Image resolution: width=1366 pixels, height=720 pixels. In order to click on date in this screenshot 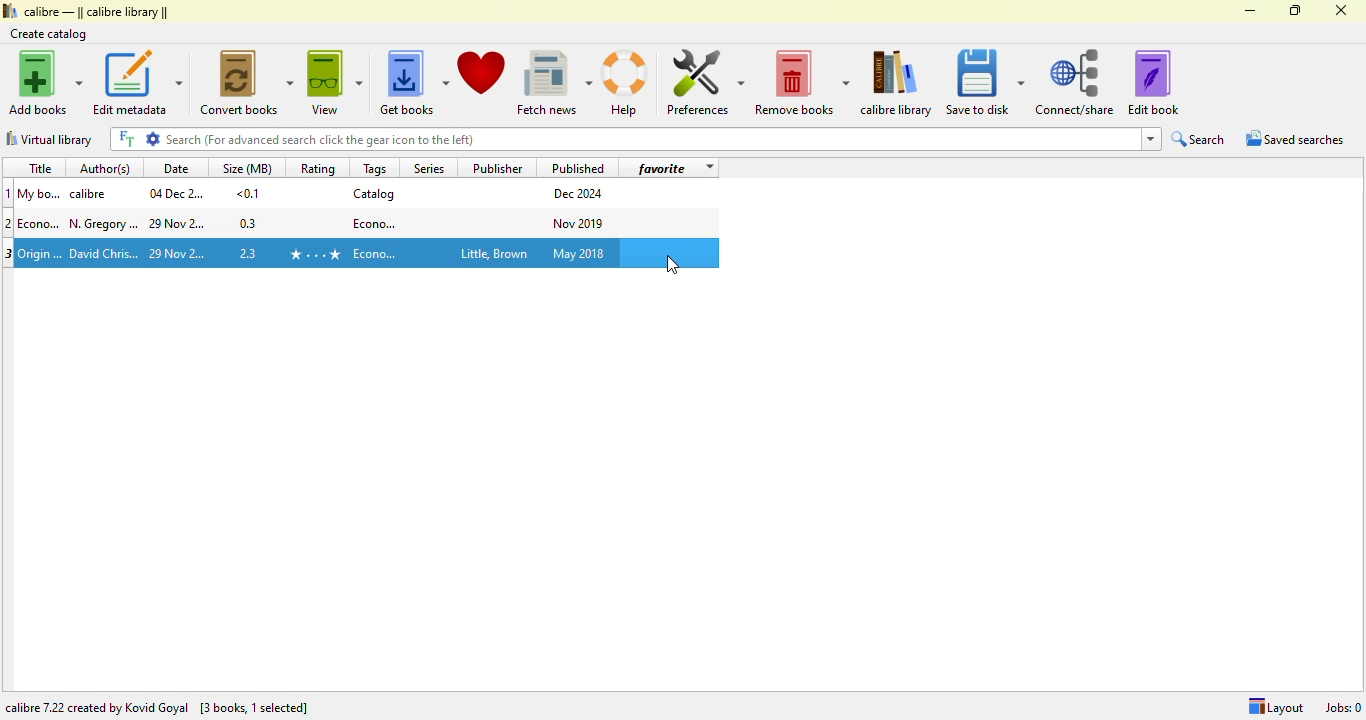, I will do `click(178, 225)`.